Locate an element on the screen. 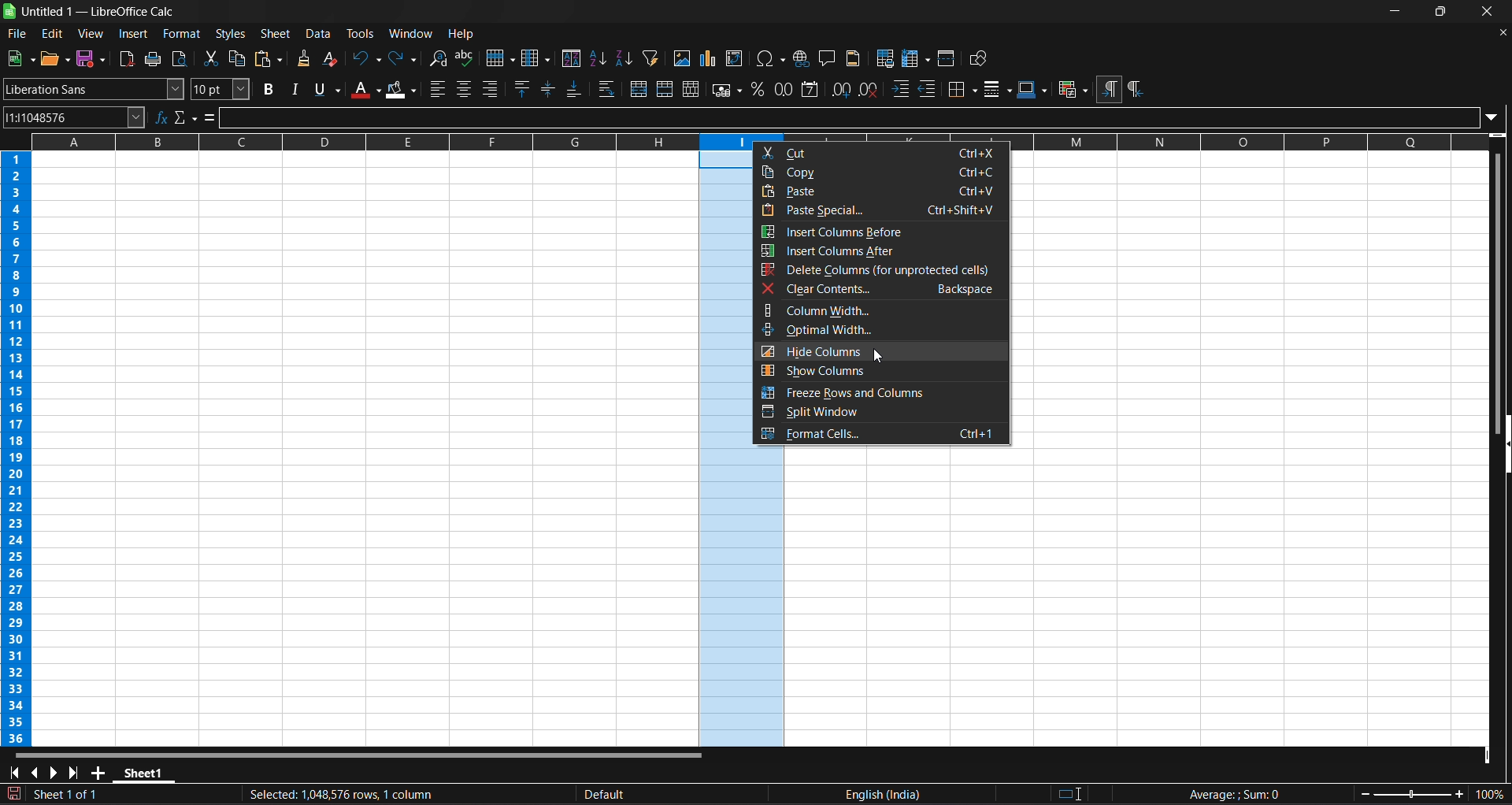 This screenshot has width=1512, height=805. redo is located at coordinates (402, 58).